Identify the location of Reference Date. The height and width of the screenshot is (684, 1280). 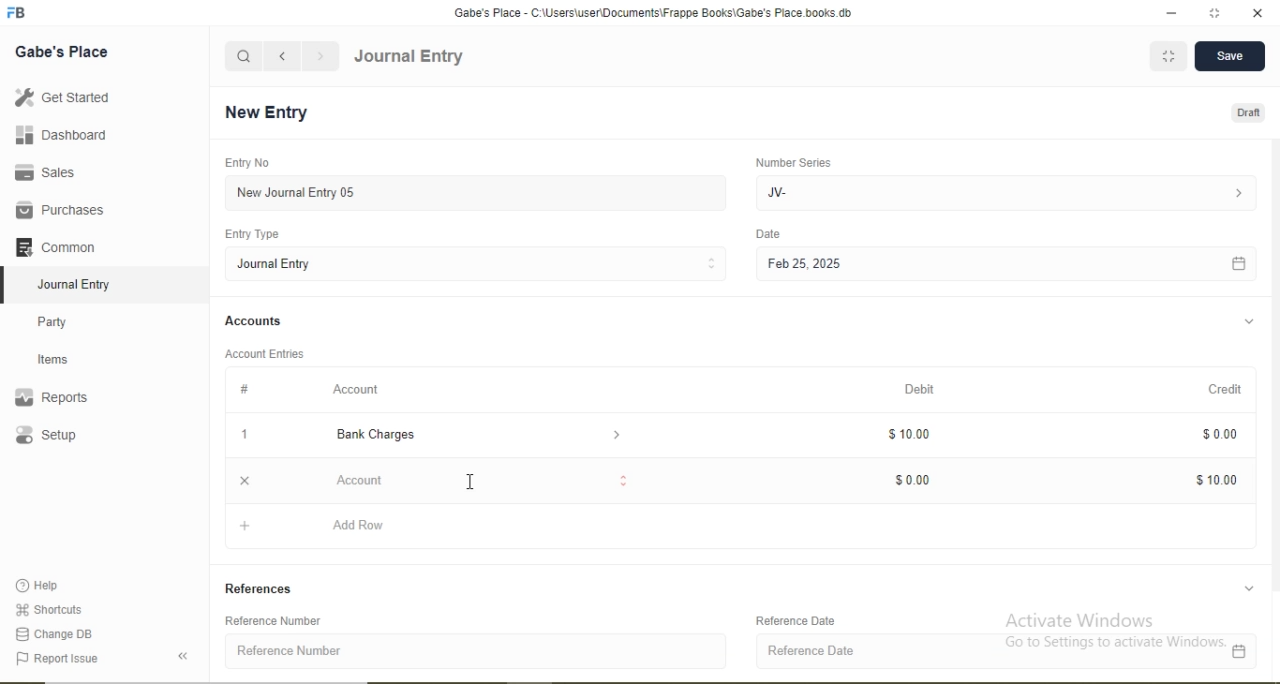
(1006, 652).